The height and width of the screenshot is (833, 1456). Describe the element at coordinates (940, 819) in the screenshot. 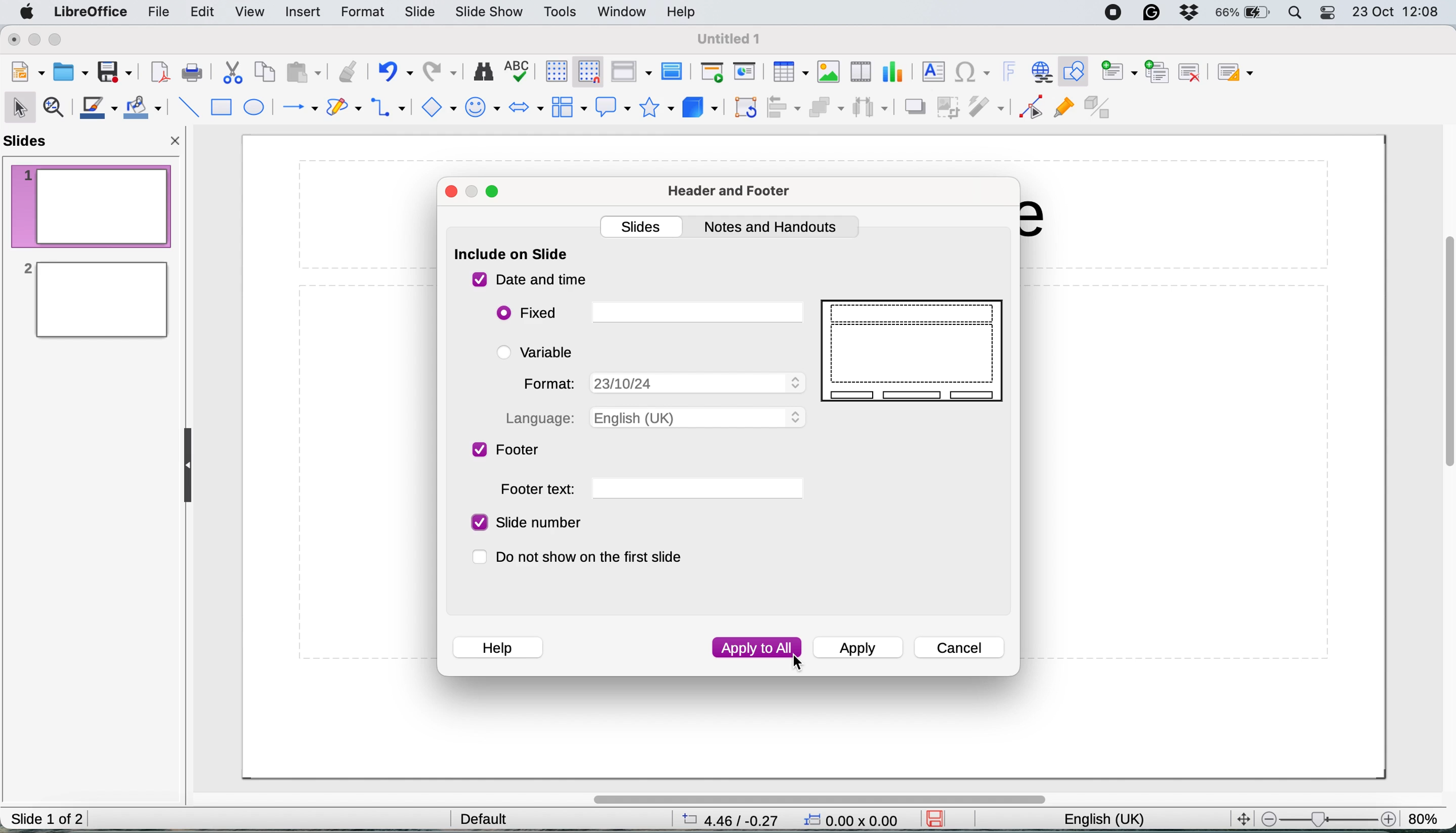

I see `save` at that location.